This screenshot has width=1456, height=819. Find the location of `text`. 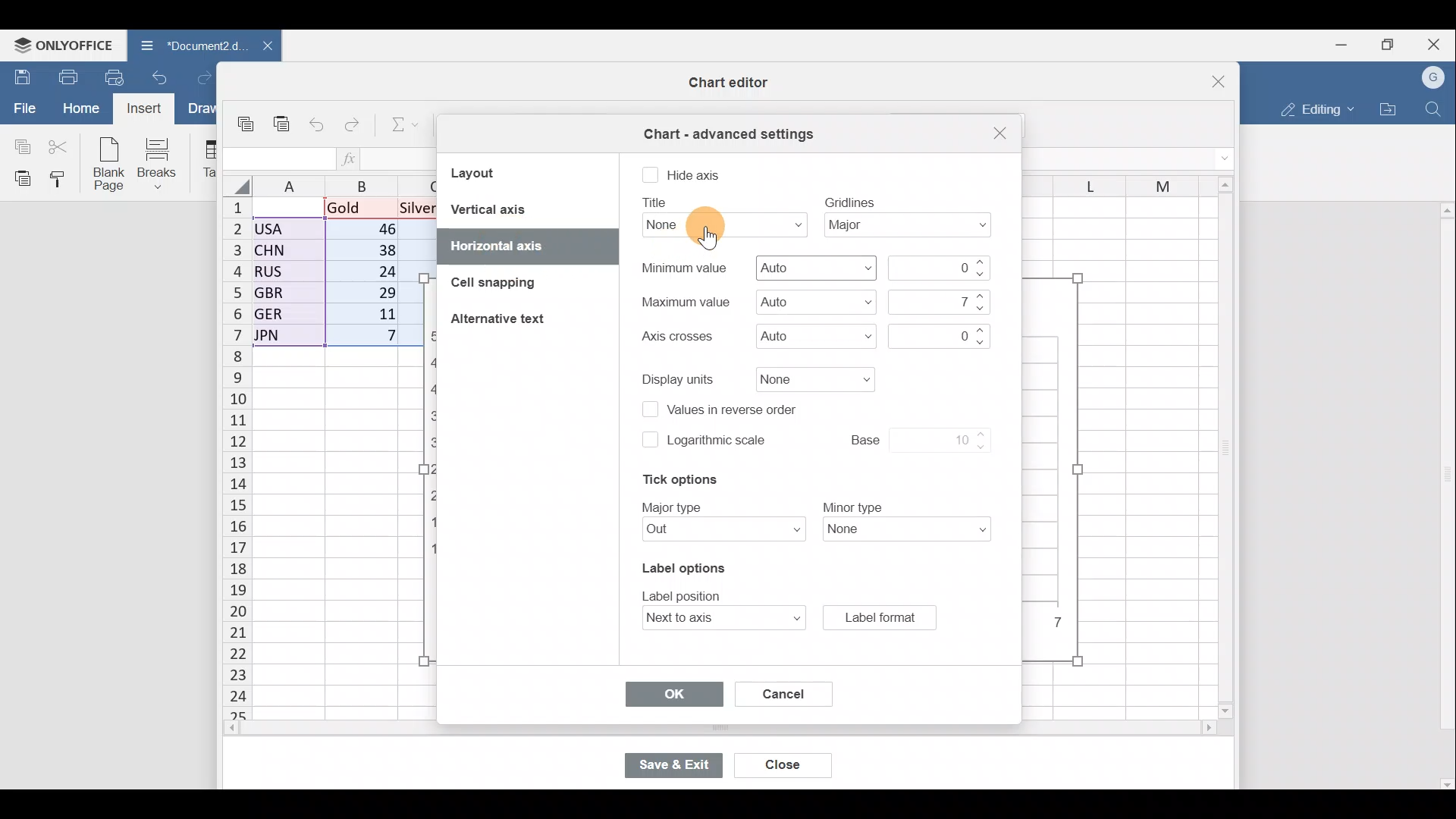

text is located at coordinates (679, 378).